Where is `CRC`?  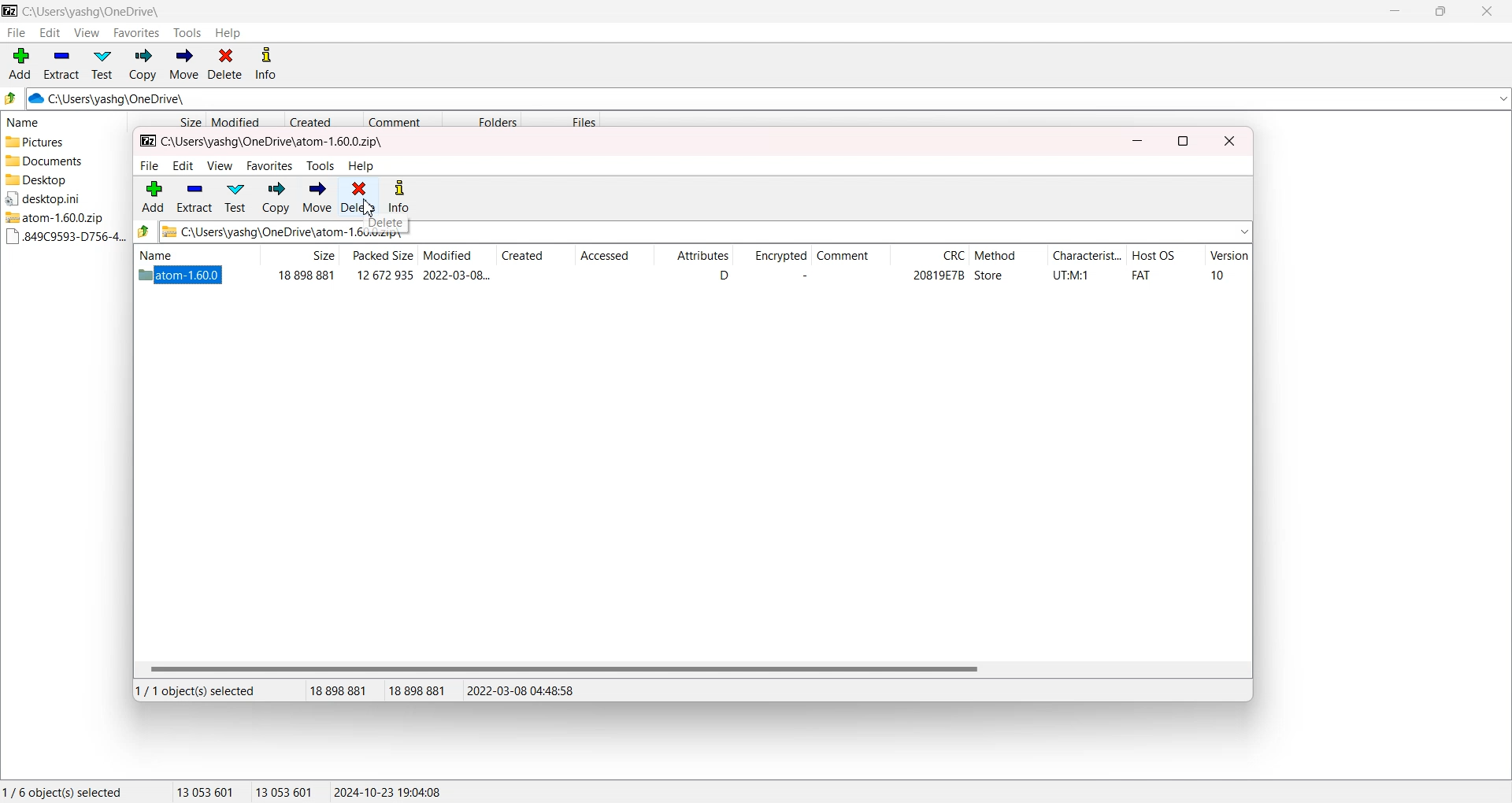
CRC is located at coordinates (929, 257).